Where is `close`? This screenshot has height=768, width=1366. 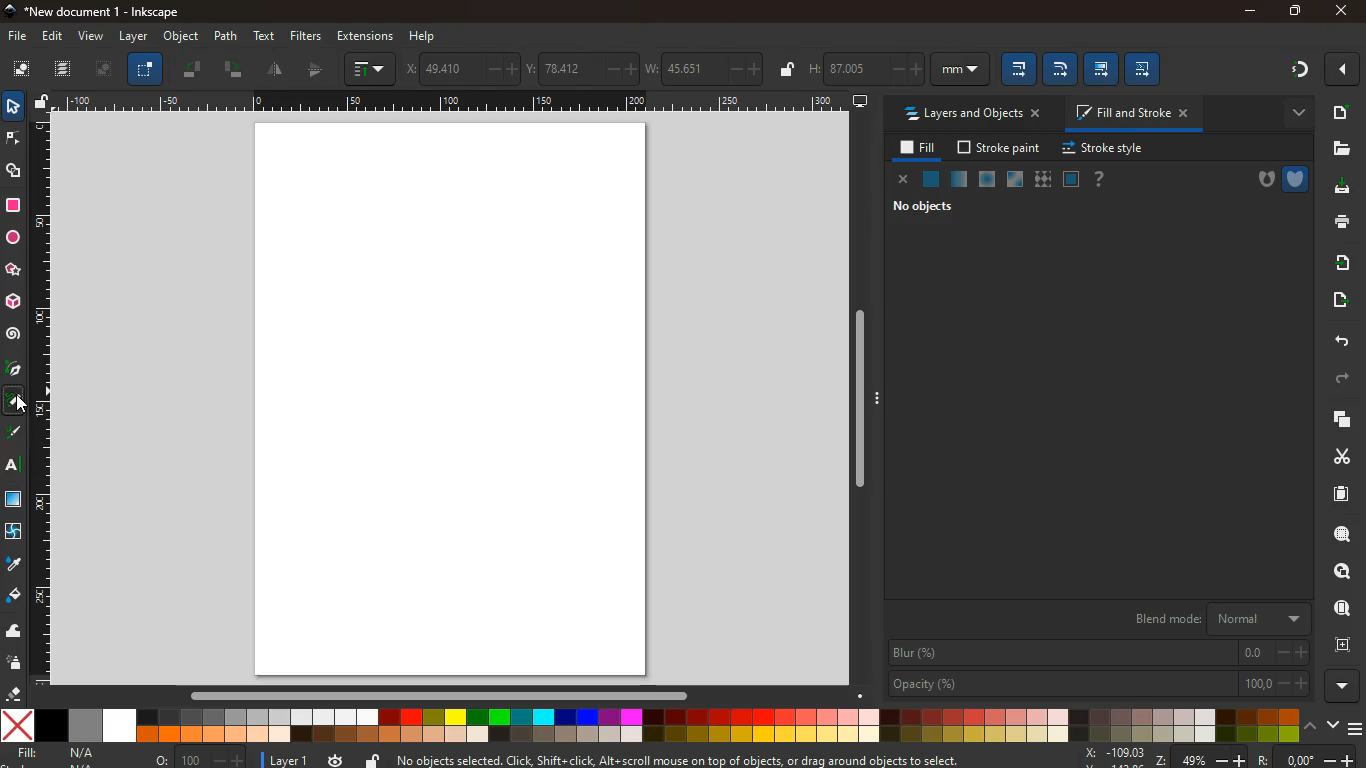 close is located at coordinates (904, 181).